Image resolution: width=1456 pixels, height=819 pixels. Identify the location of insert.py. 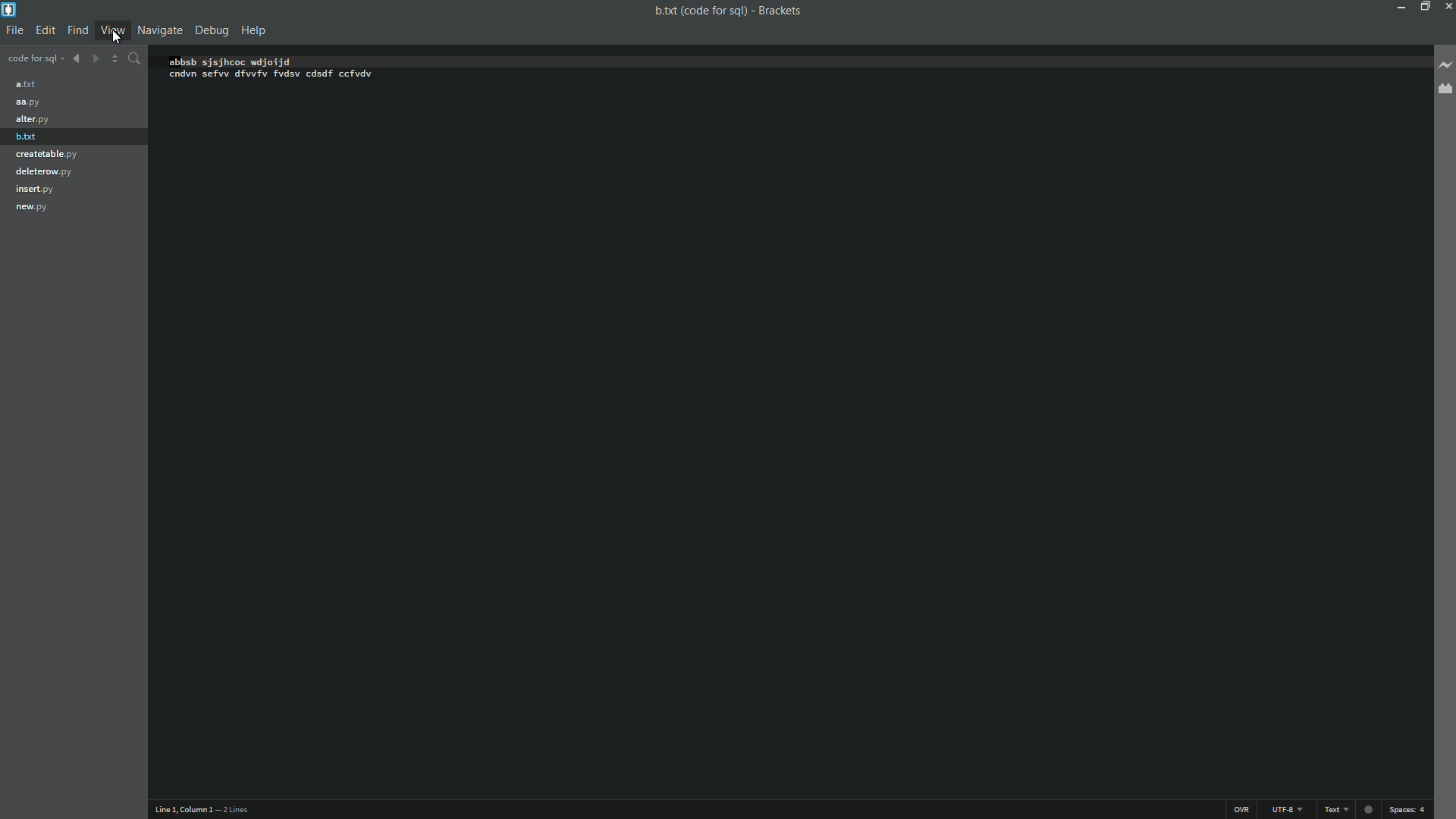
(39, 189).